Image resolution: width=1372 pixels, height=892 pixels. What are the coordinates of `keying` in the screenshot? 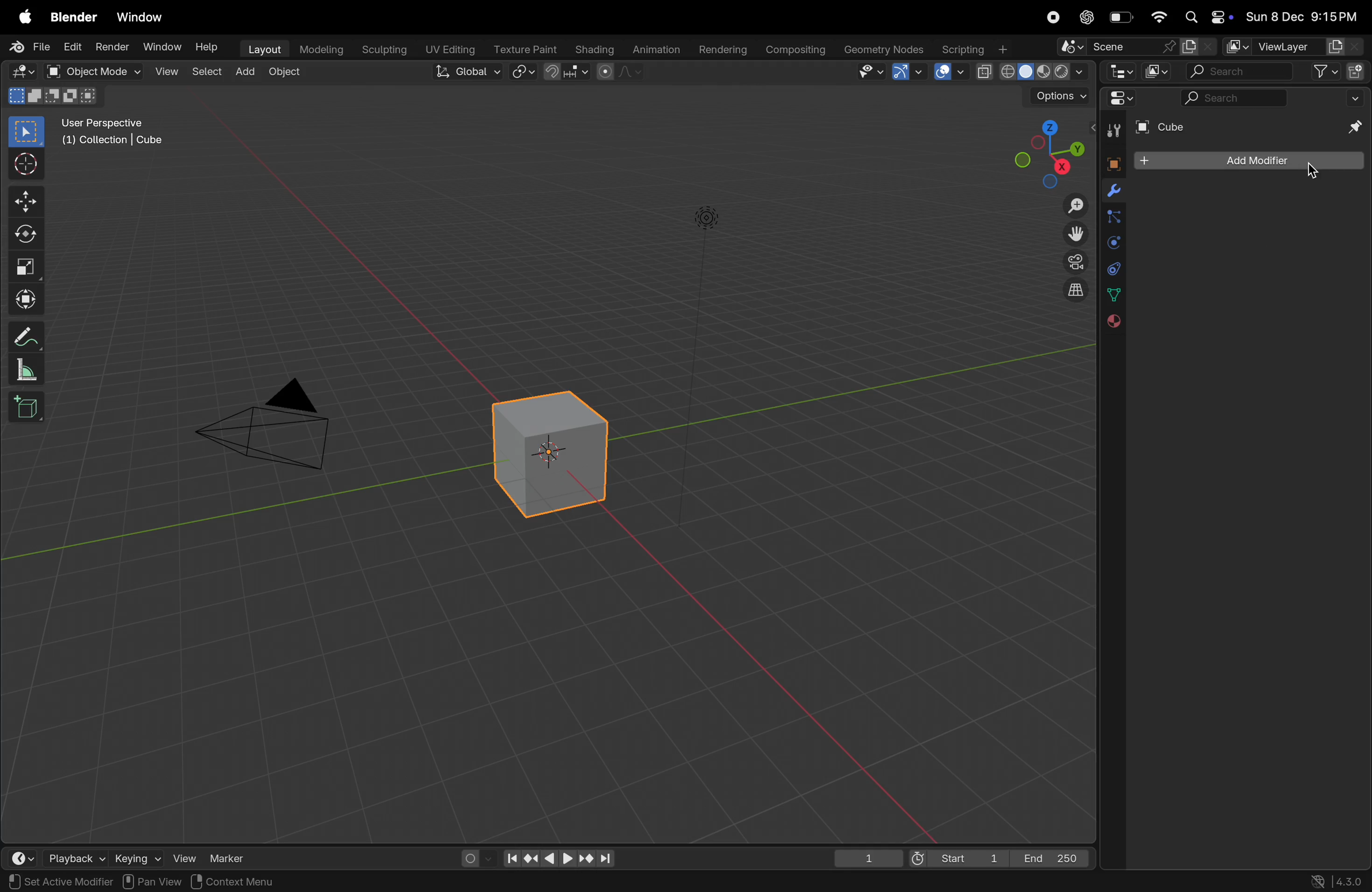 It's located at (135, 857).